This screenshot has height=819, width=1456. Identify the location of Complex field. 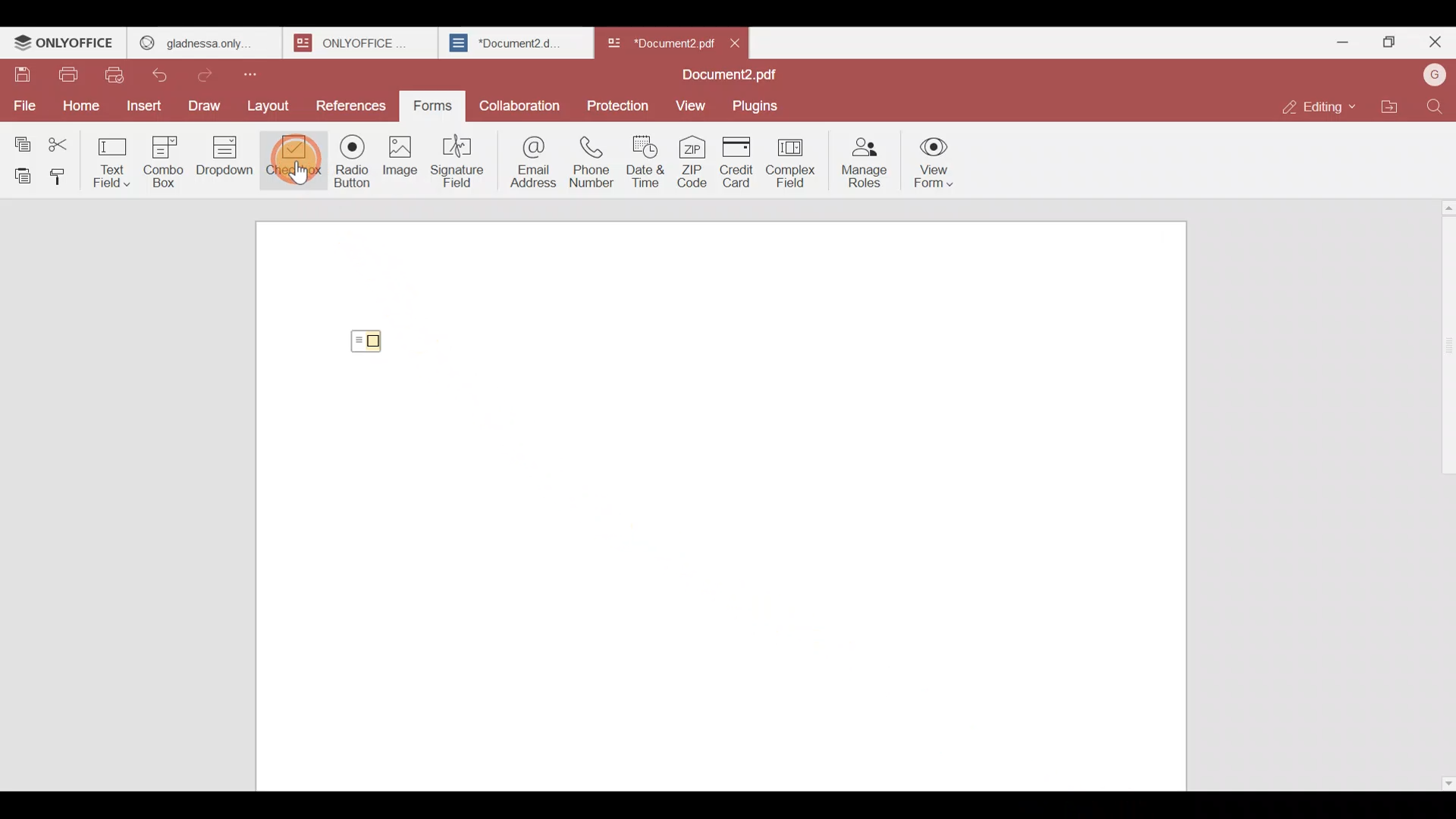
(789, 164).